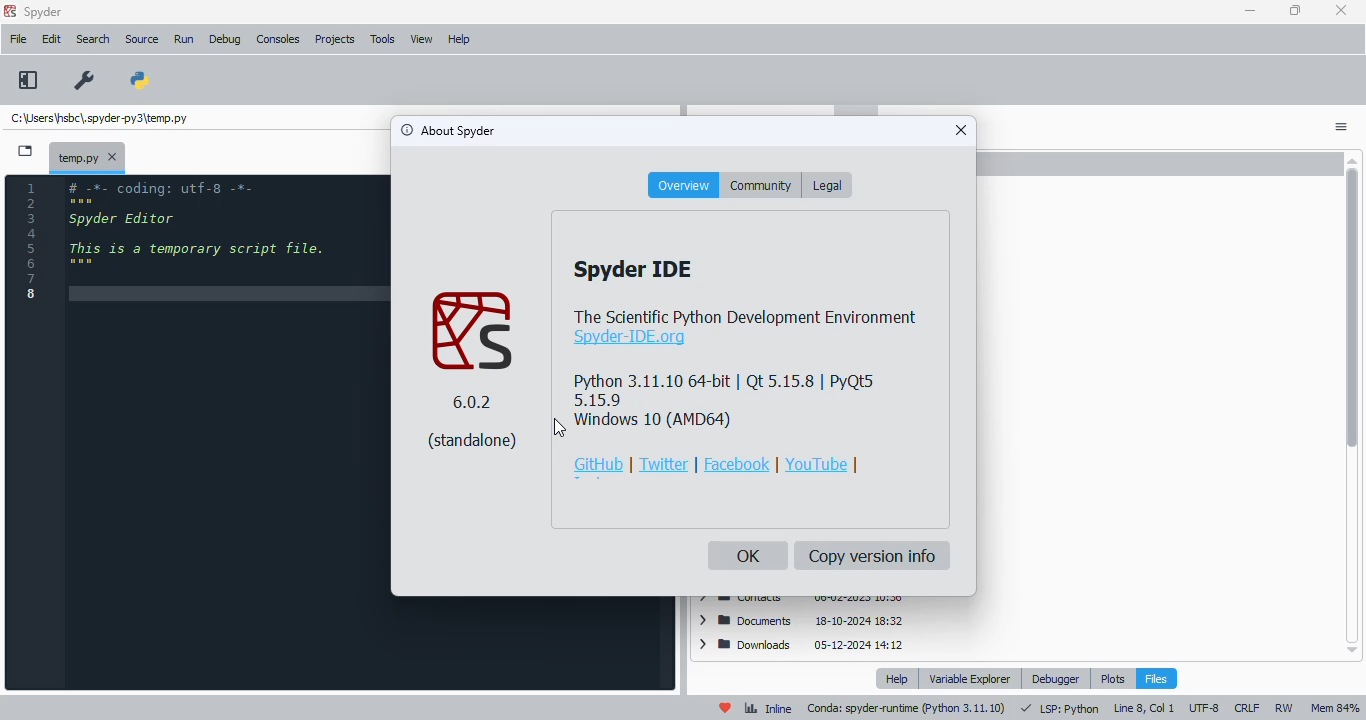 The height and width of the screenshot is (720, 1366). Describe the element at coordinates (183, 40) in the screenshot. I see `run` at that location.